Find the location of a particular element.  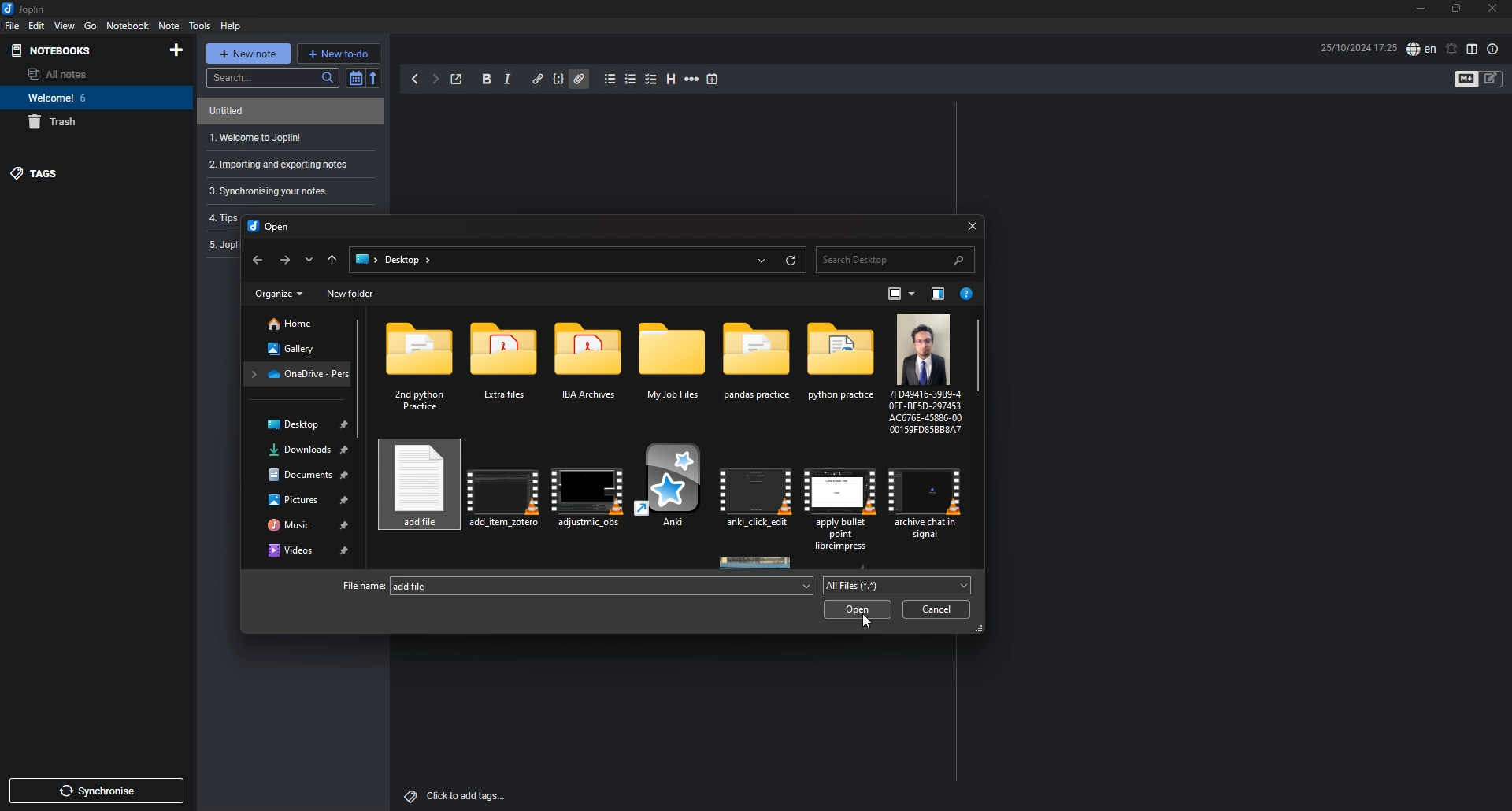

close is located at coordinates (1493, 8).